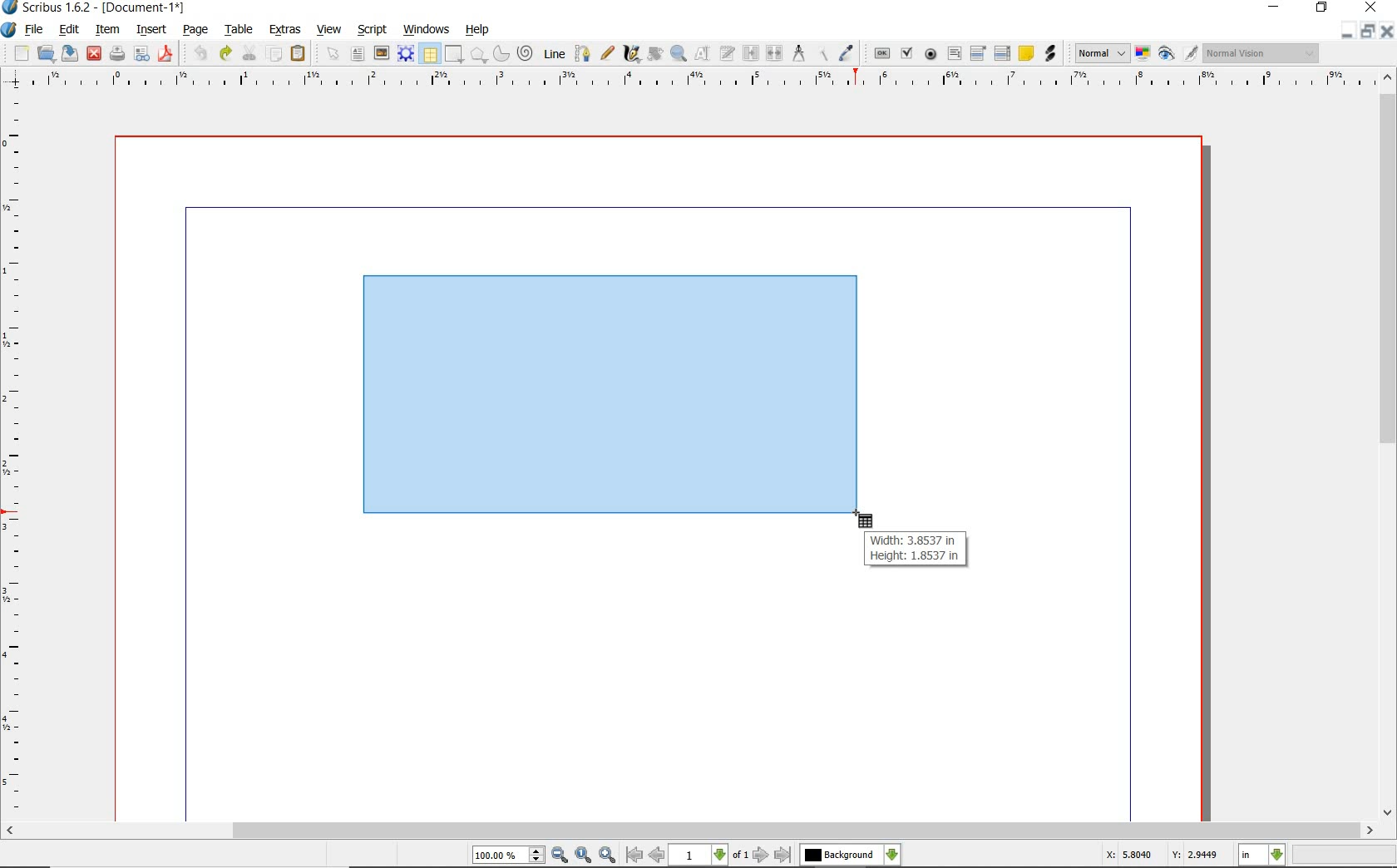 The width and height of the screenshot is (1397, 868). I want to click on new, so click(22, 55).